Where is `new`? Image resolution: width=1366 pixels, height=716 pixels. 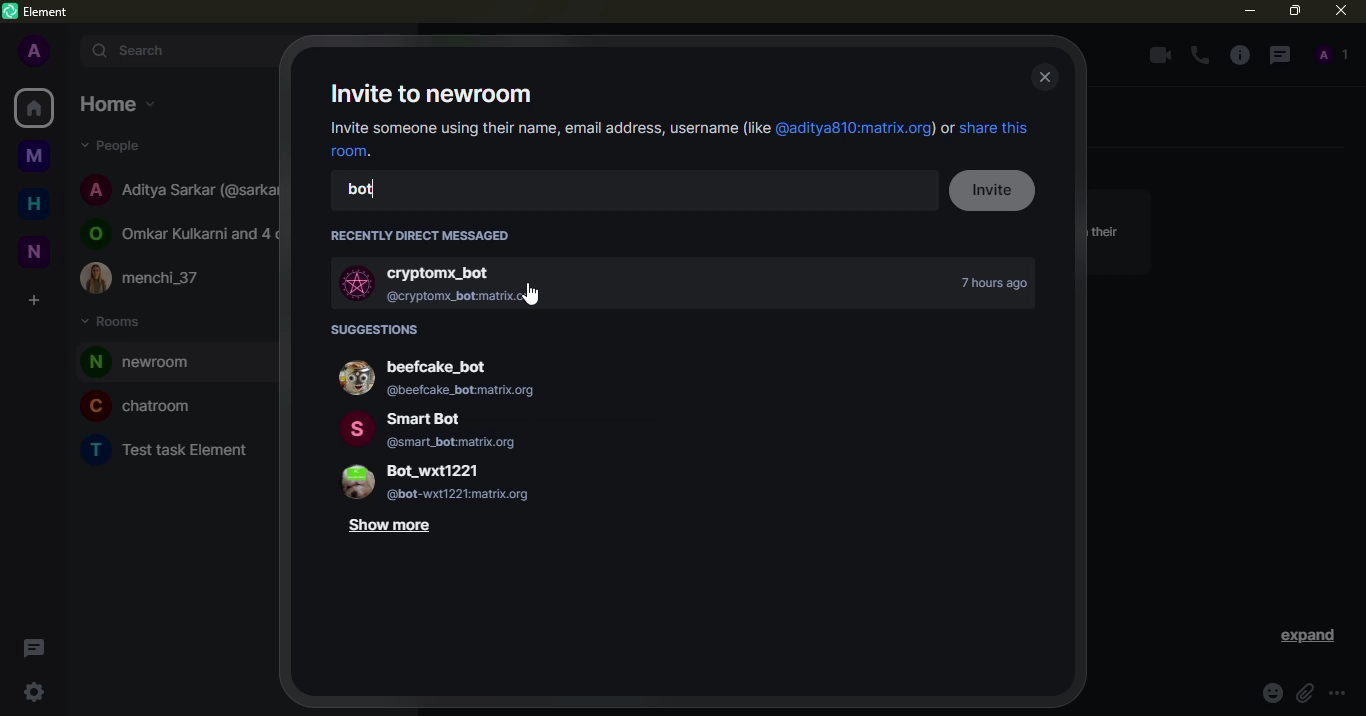
new is located at coordinates (35, 251).